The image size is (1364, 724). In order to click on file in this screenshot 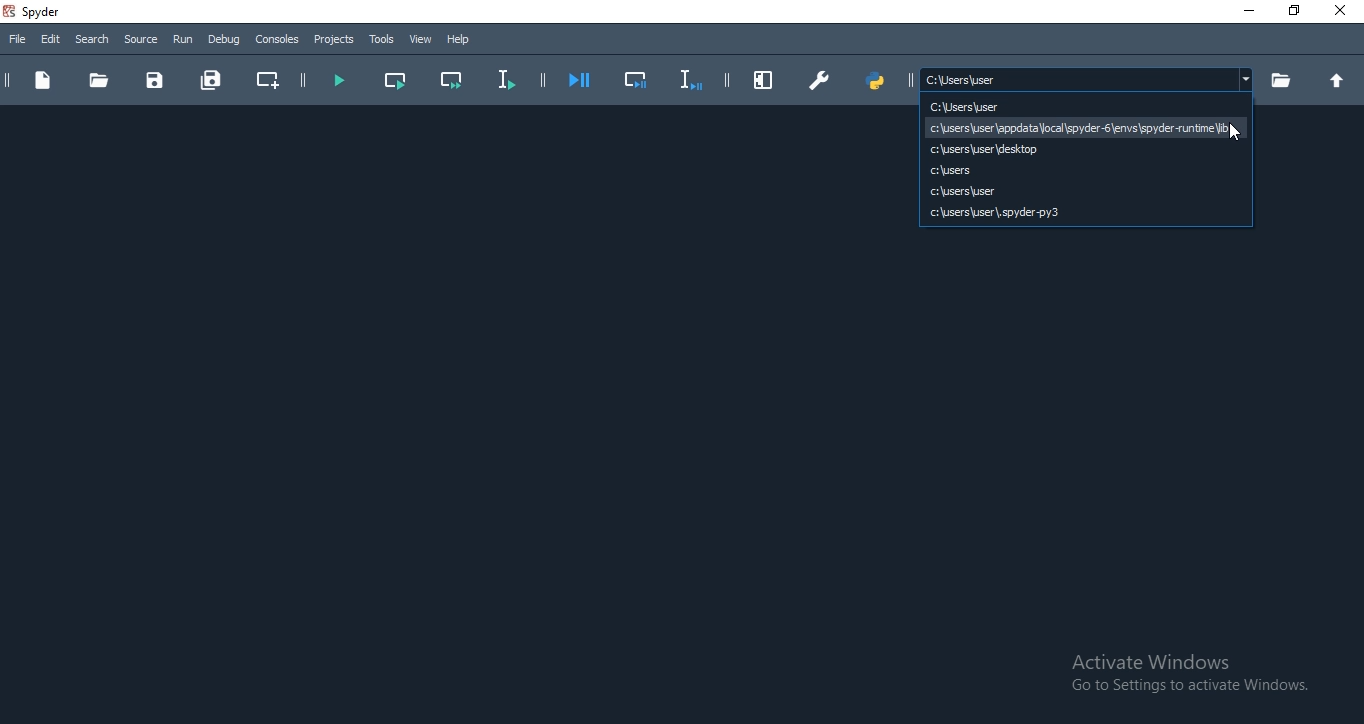, I will do `click(19, 41)`.